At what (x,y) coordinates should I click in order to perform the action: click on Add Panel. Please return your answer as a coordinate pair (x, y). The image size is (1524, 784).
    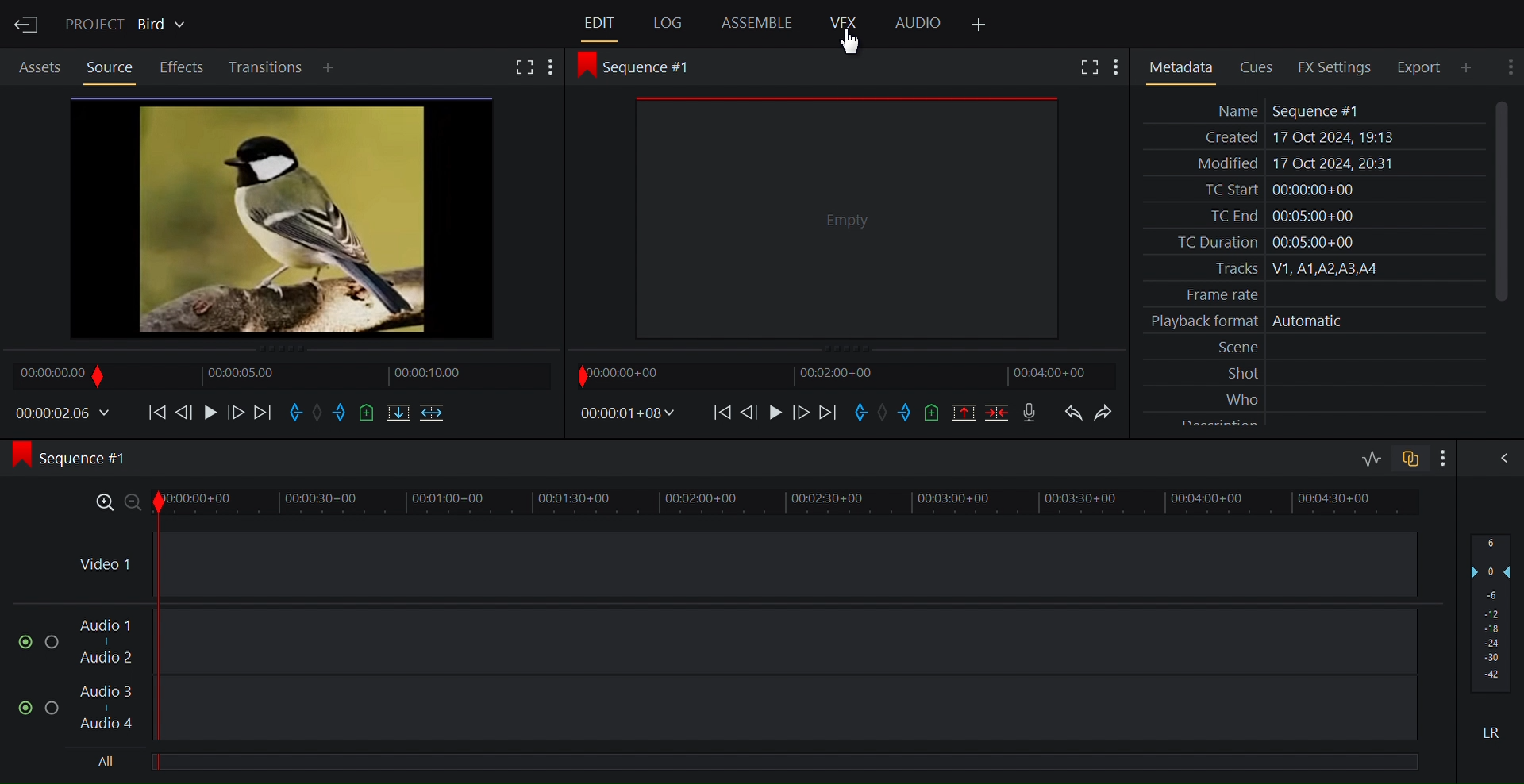
    Looking at the image, I should click on (1469, 66).